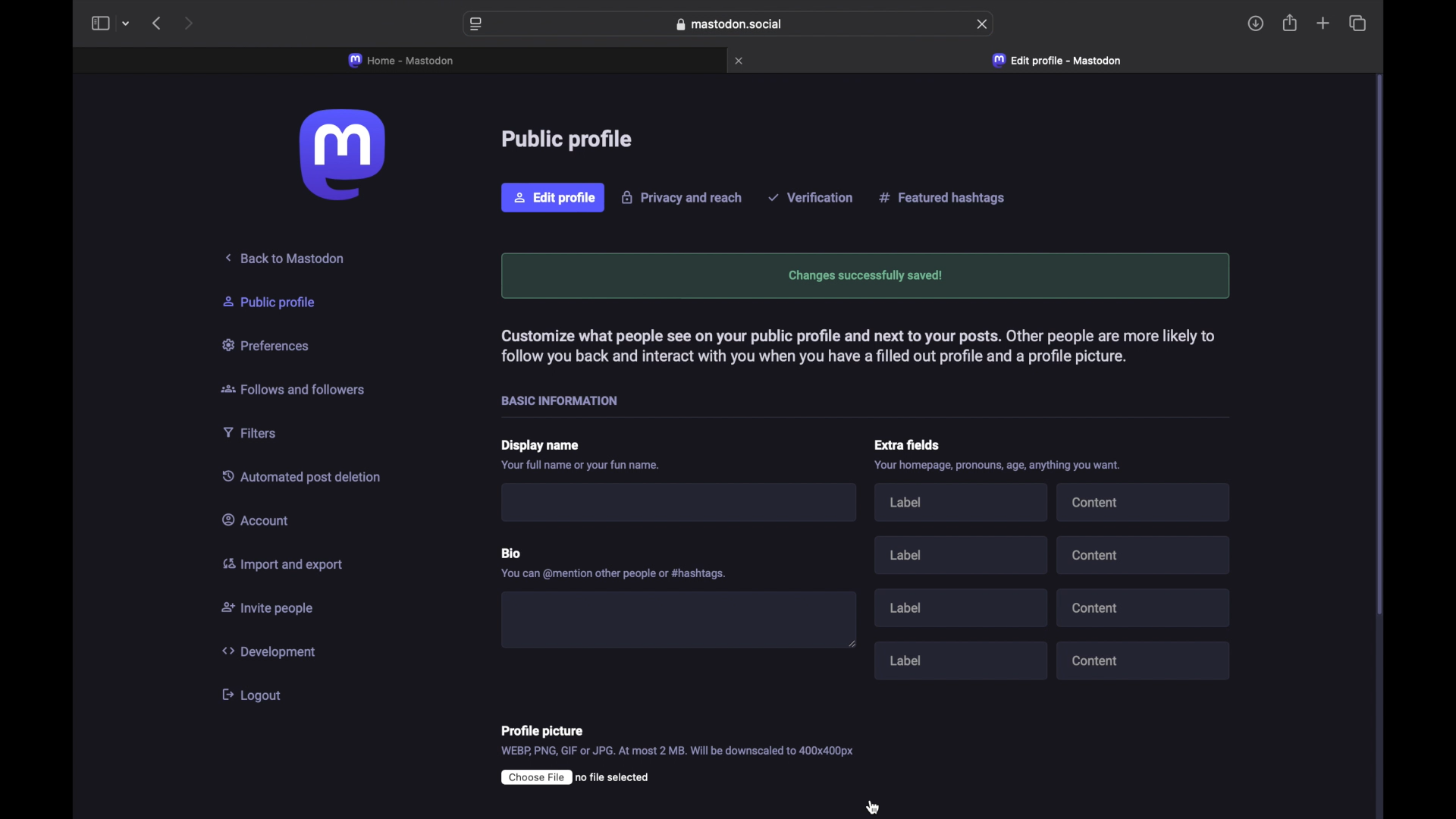 Image resolution: width=1456 pixels, height=819 pixels. What do you see at coordinates (1141, 606) in the screenshot?
I see `content` at bounding box center [1141, 606].